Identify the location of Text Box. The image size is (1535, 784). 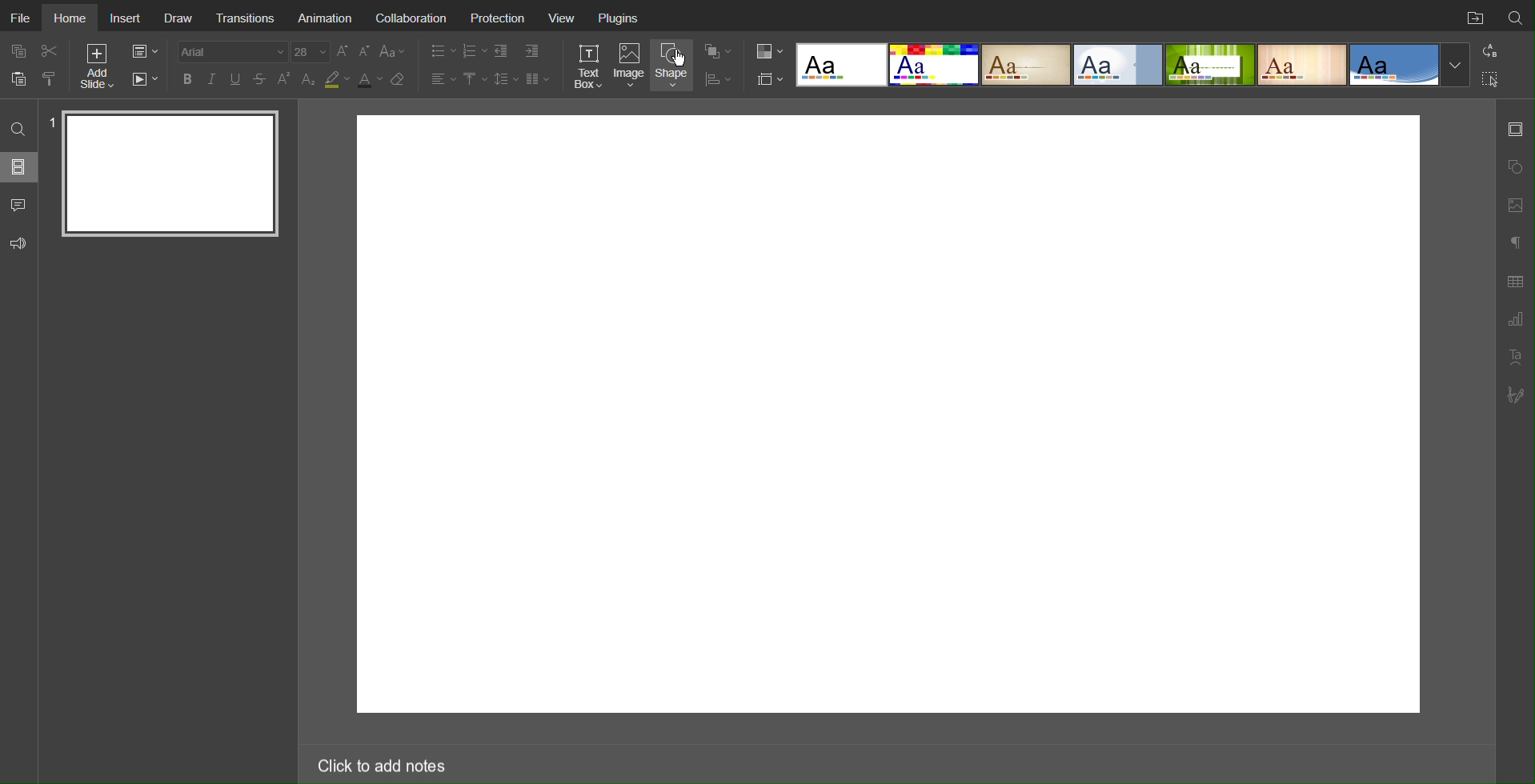
(587, 66).